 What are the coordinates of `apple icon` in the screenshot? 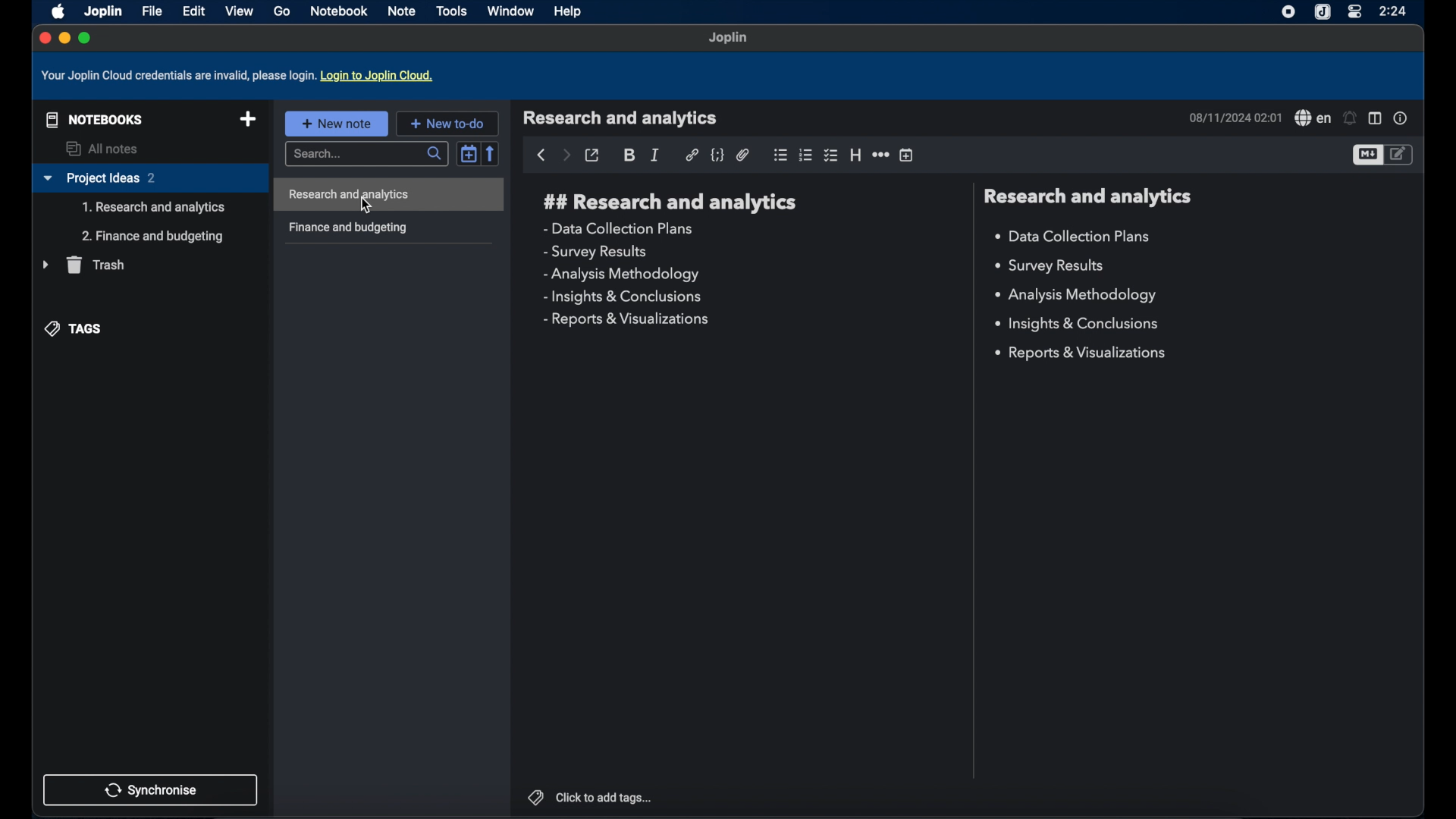 It's located at (55, 11).